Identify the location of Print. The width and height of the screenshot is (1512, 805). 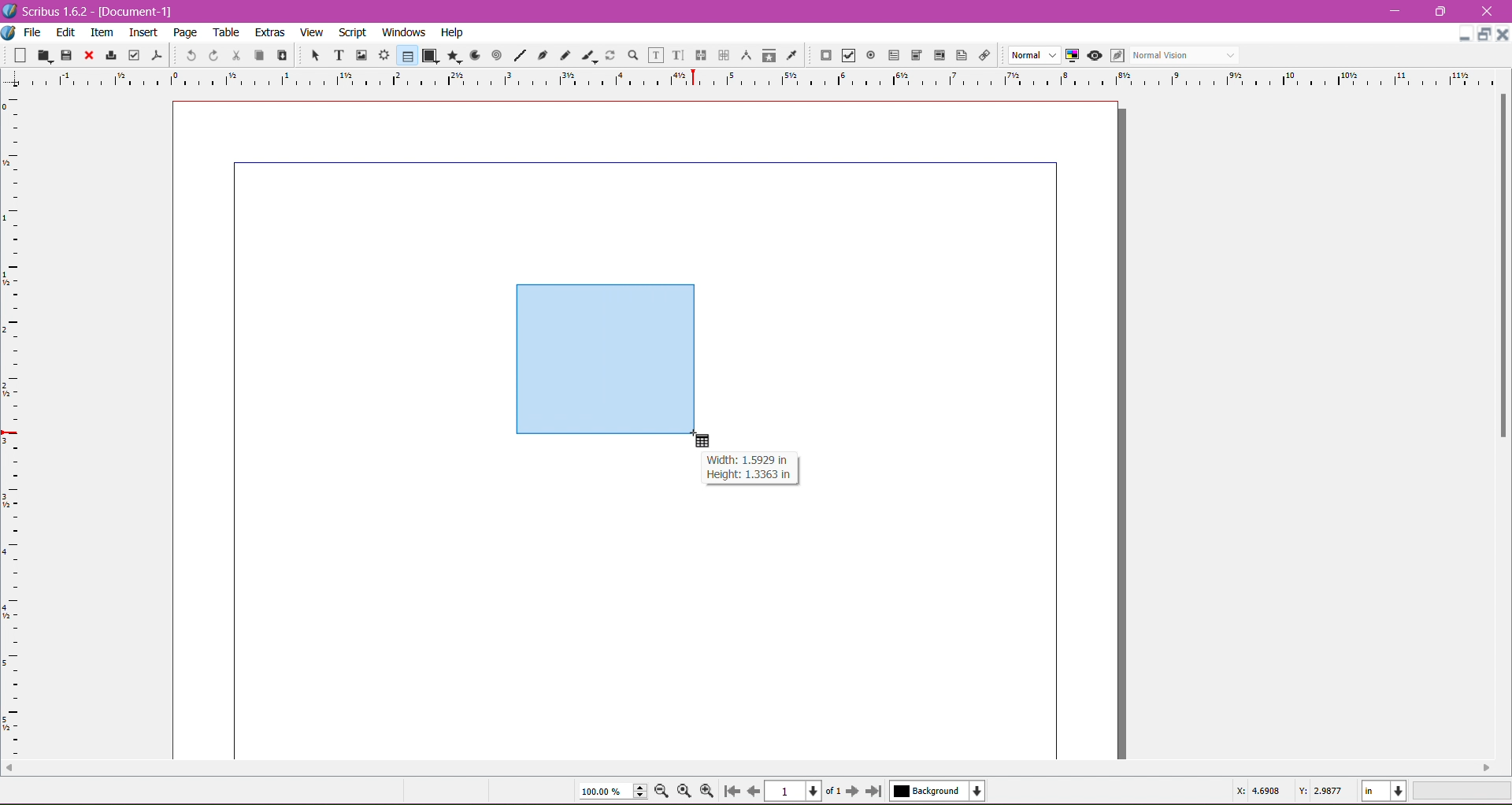
(109, 57).